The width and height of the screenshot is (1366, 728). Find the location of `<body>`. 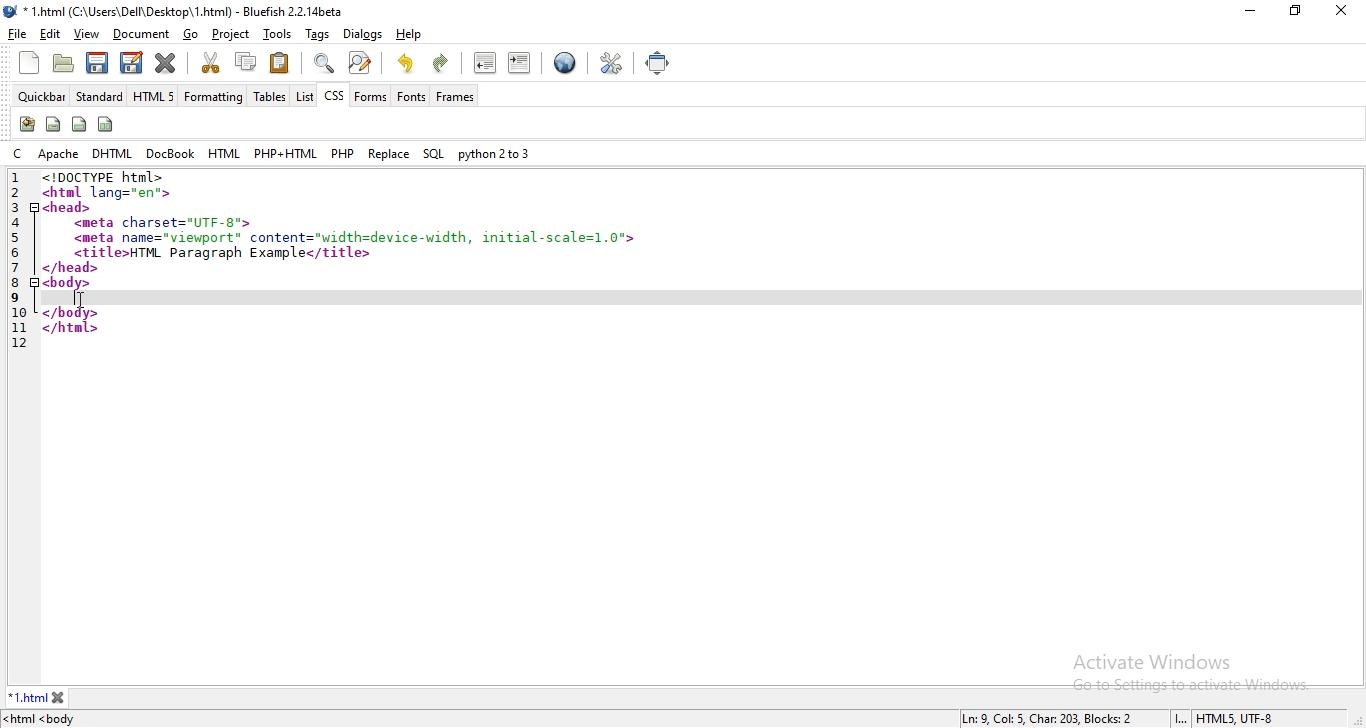

<body> is located at coordinates (69, 283).